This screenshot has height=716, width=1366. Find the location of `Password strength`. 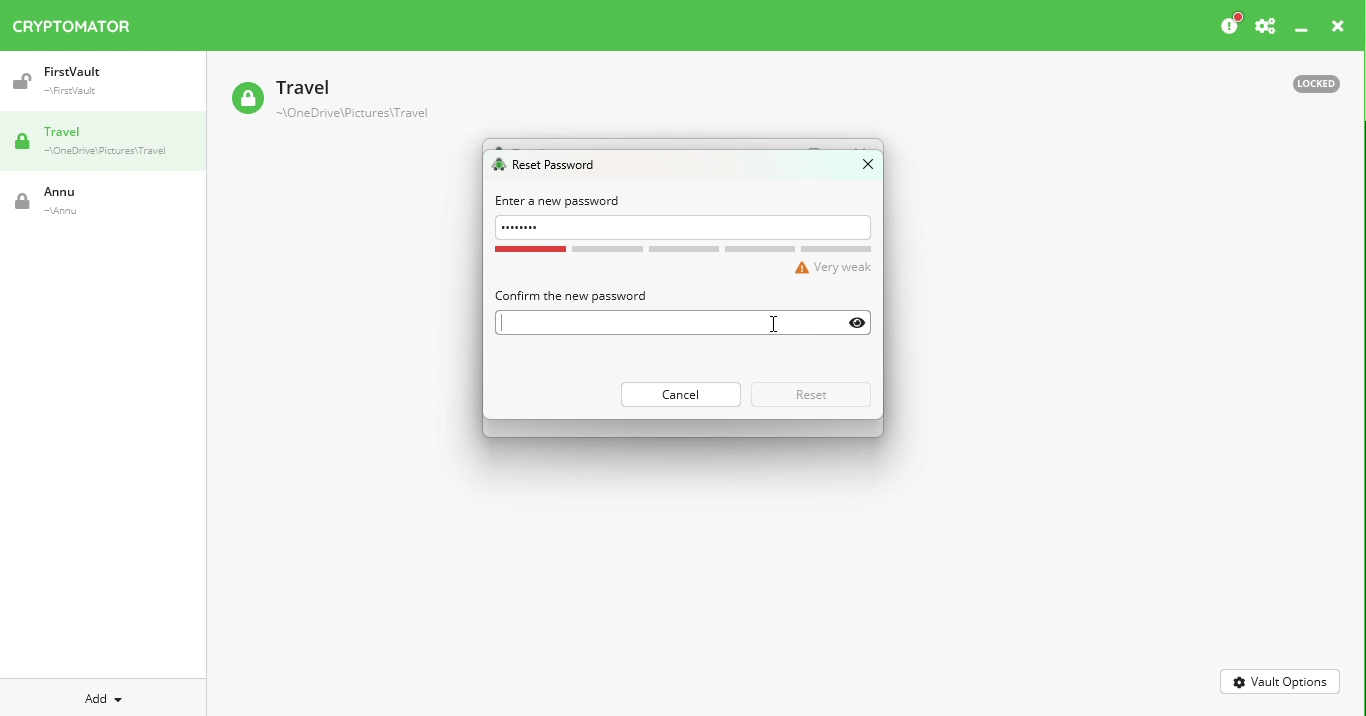

Password strength is located at coordinates (685, 261).